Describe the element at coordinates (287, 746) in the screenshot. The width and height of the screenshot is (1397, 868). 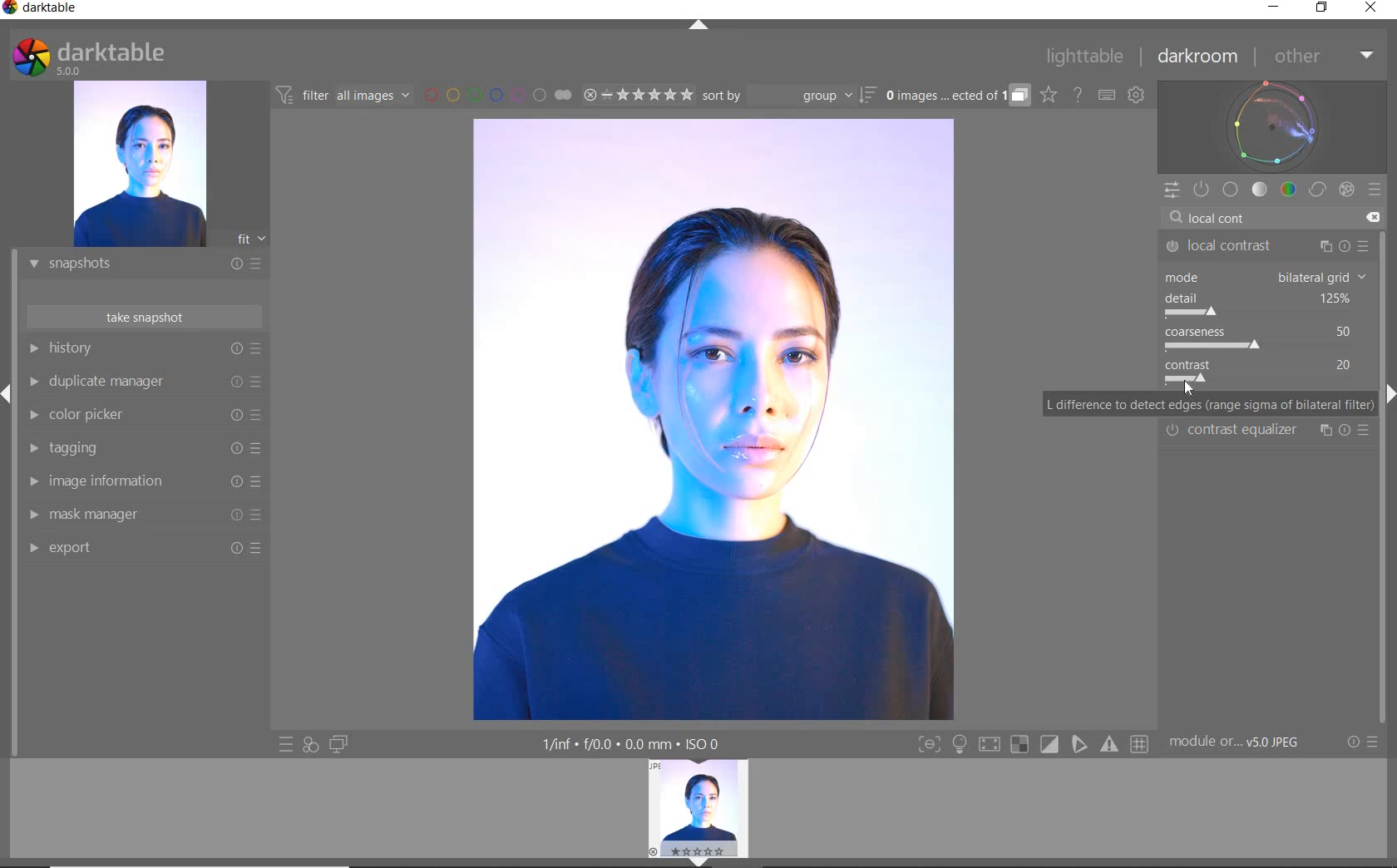
I see `QUICK ACCESS TO PRESET` at that location.